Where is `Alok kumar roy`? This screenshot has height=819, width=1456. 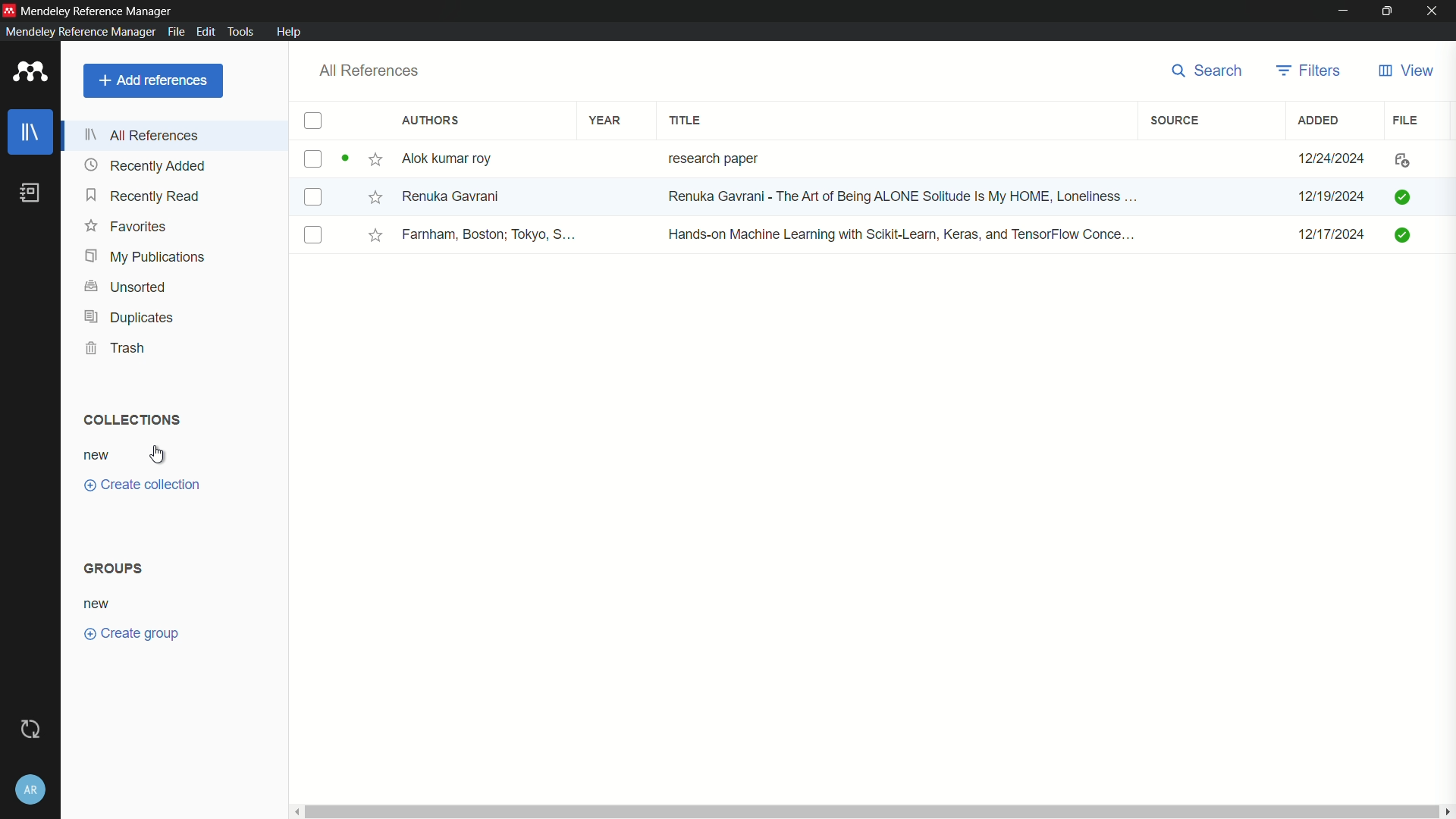
Alok kumar roy is located at coordinates (448, 158).